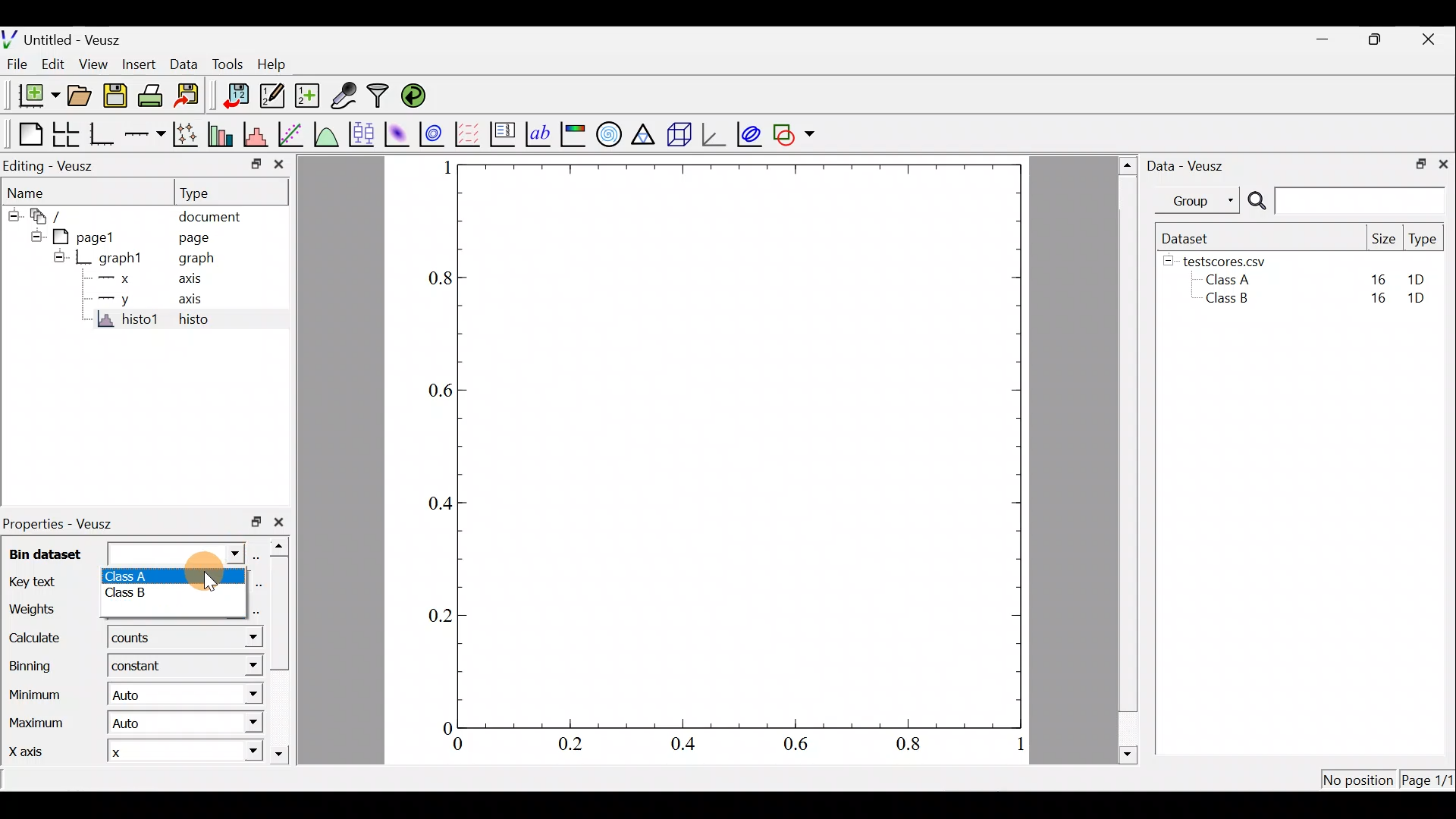  What do you see at coordinates (1429, 780) in the screenshot?
I see `Page 1/1` at bounding box center [1429, 780].